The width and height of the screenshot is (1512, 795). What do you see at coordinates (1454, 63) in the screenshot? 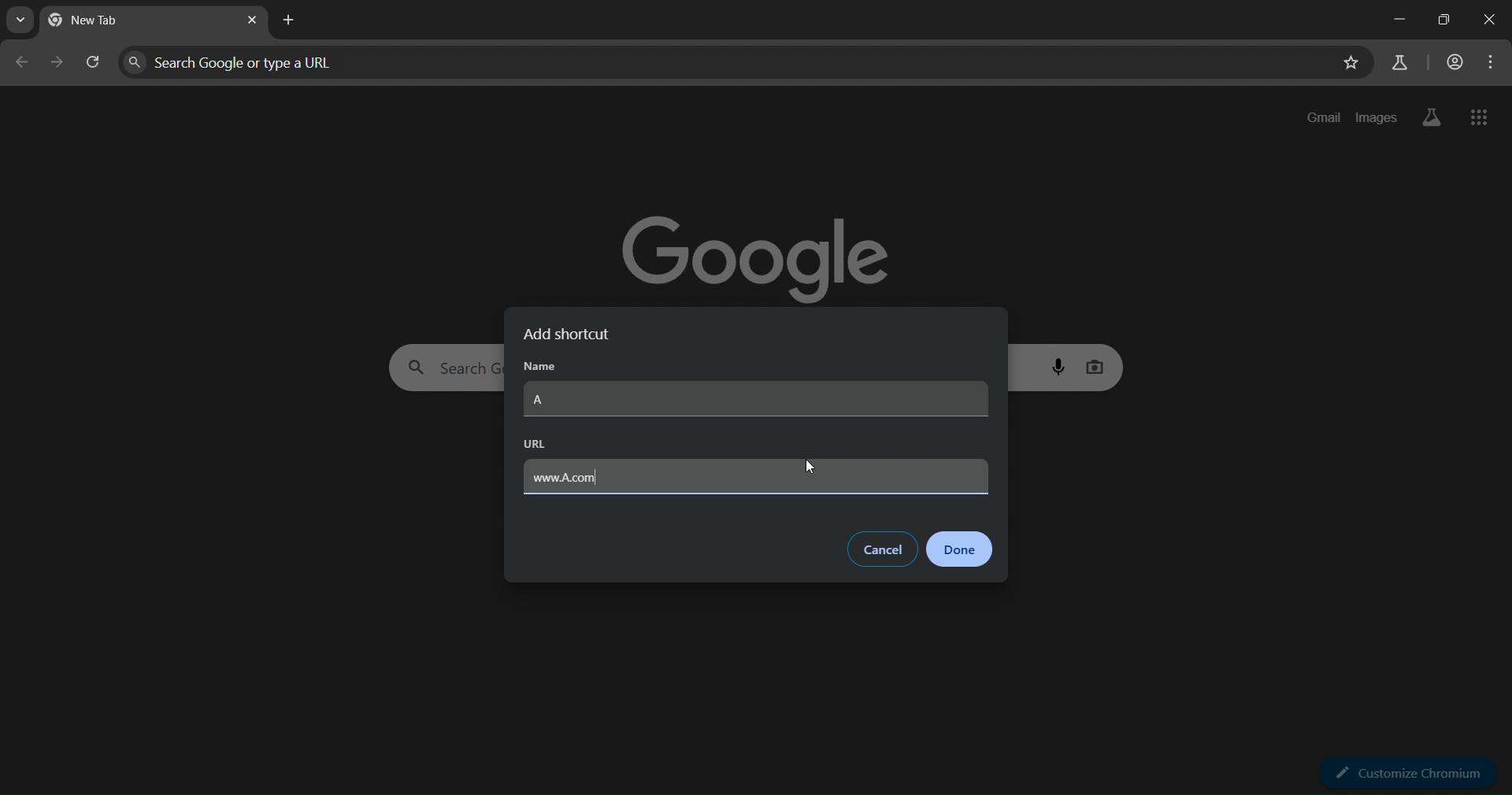
I see `account` at bounding box center [1454, 63].